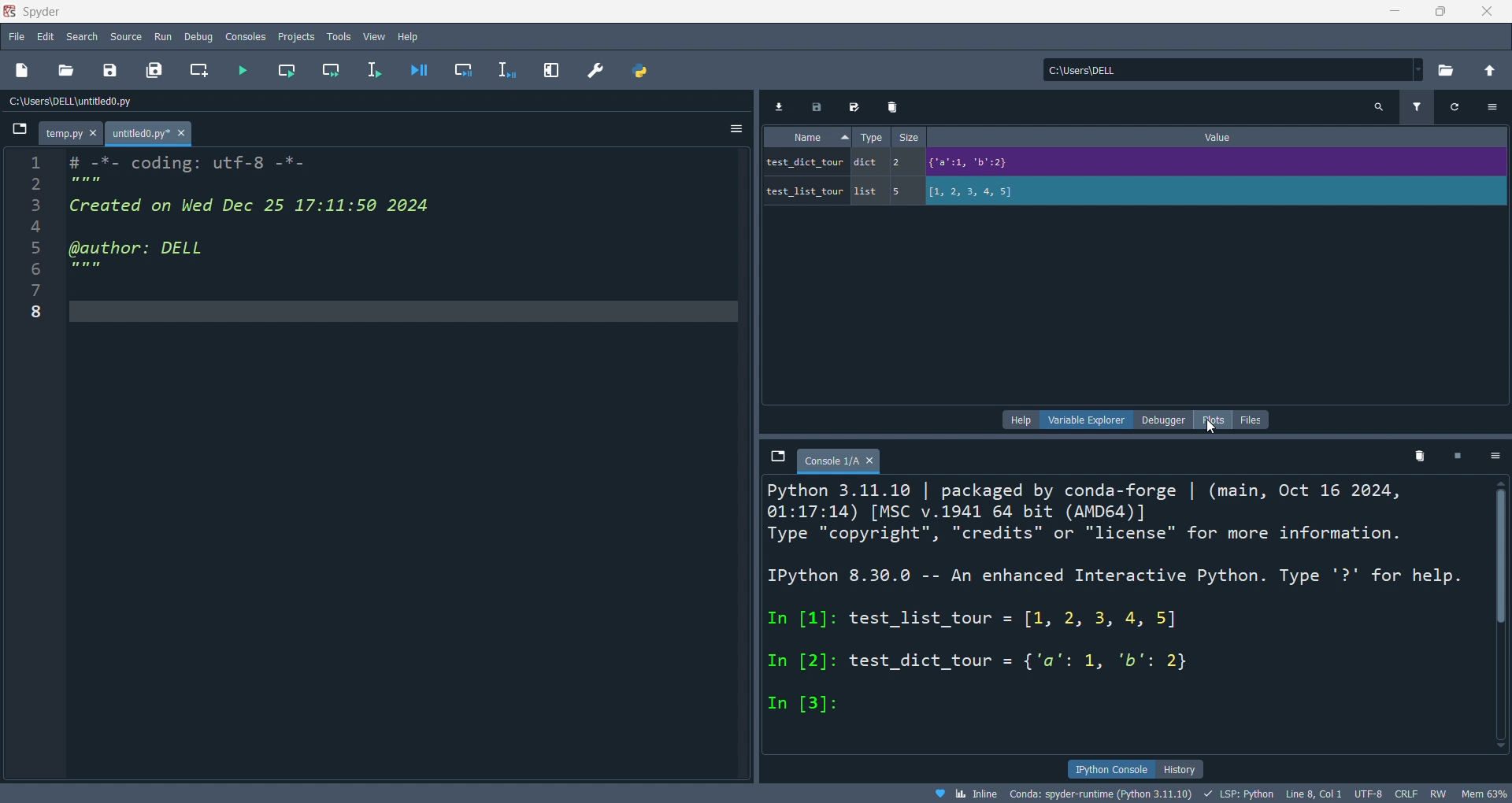 This screenshot has width=1512, height=803. What do you see at coordinates (1483, 794) in the screenshot?
I see `memory usage` at bounding box center [1483, 794].